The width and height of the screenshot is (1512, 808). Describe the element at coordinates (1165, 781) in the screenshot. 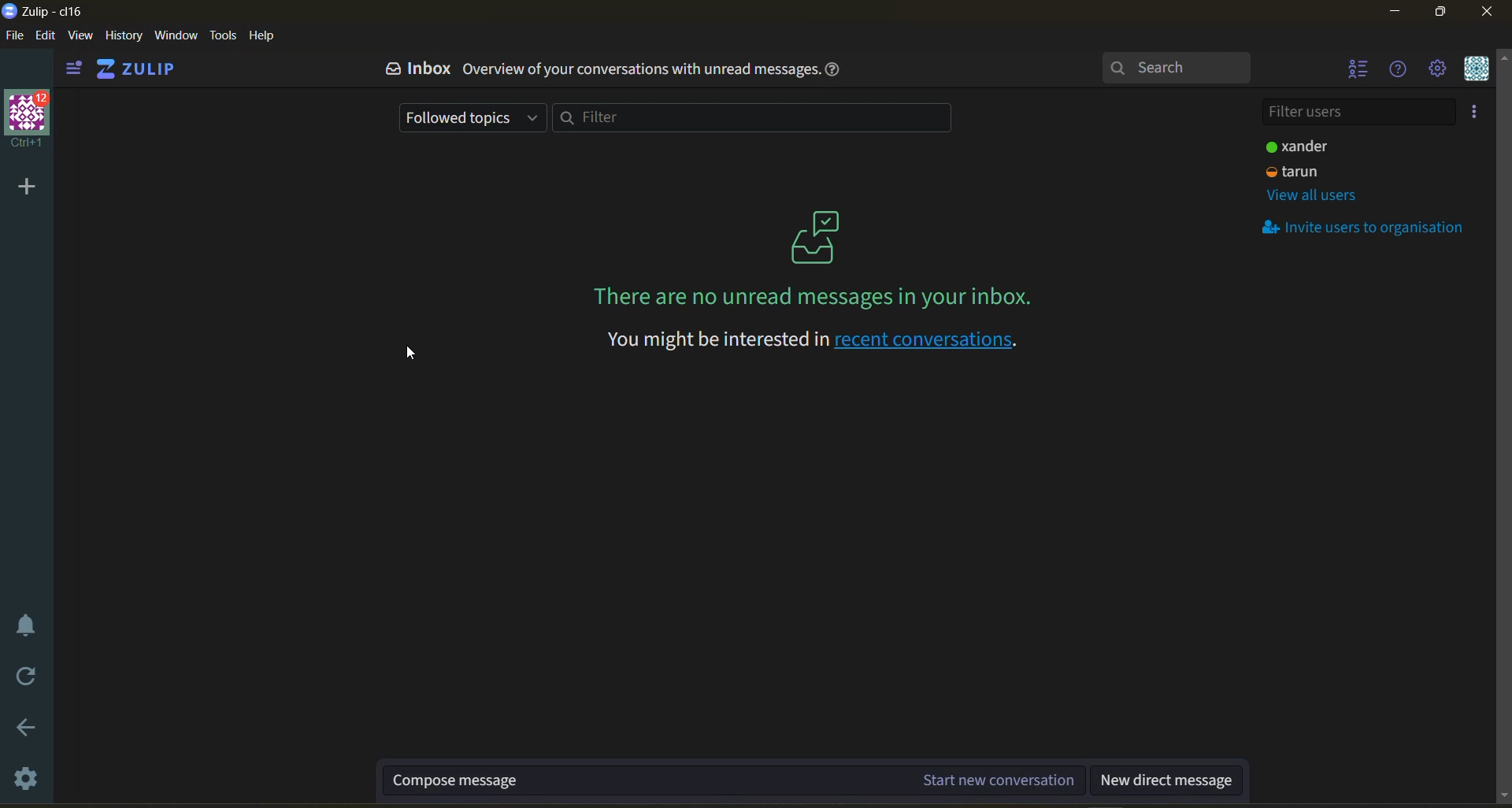

I see `new direct message` at that location.